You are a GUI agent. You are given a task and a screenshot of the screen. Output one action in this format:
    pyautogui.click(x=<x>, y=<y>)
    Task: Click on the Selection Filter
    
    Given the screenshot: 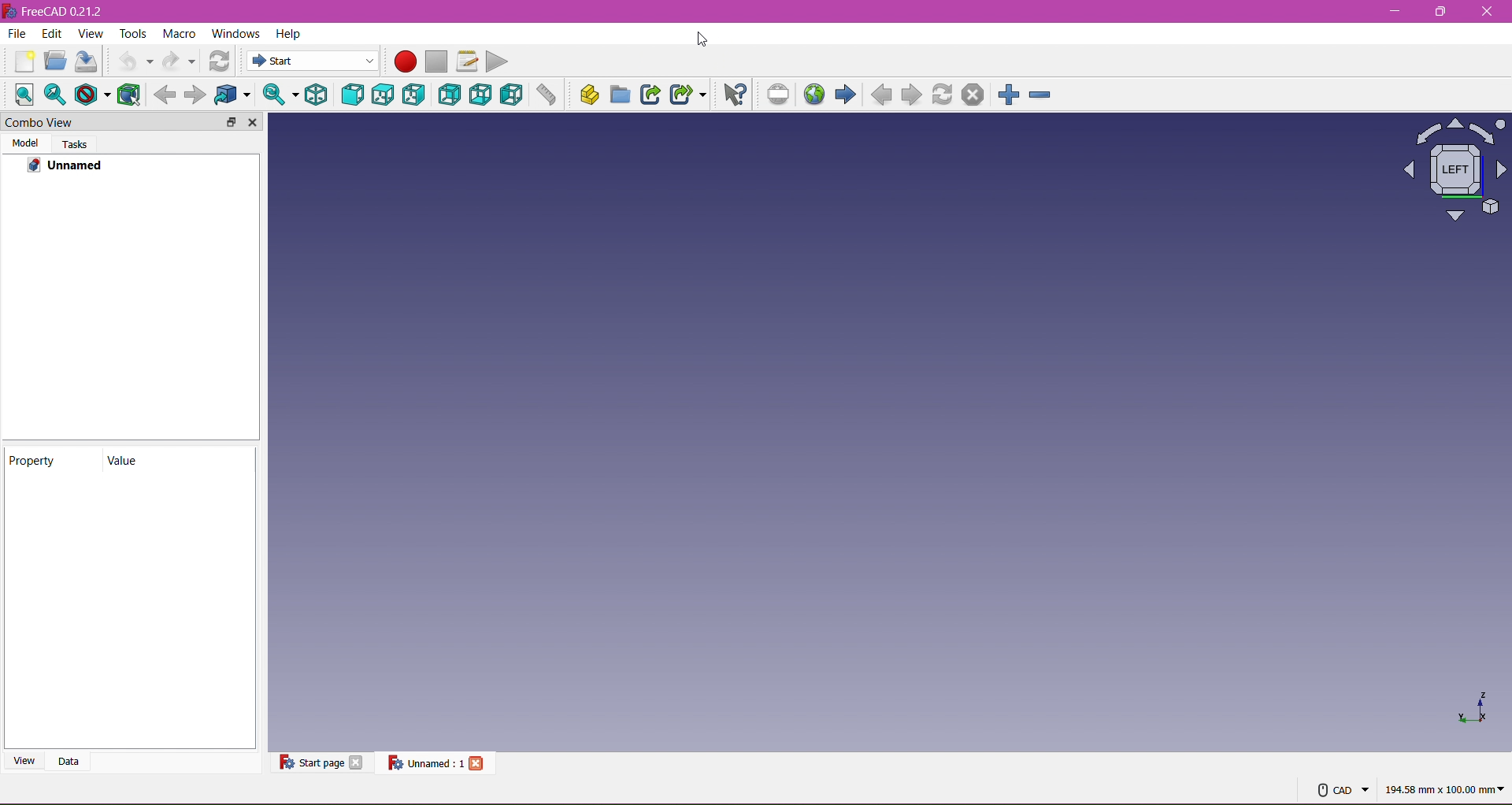 What is the action you would take?
    pyautogui.click(x=232, y=95)
    